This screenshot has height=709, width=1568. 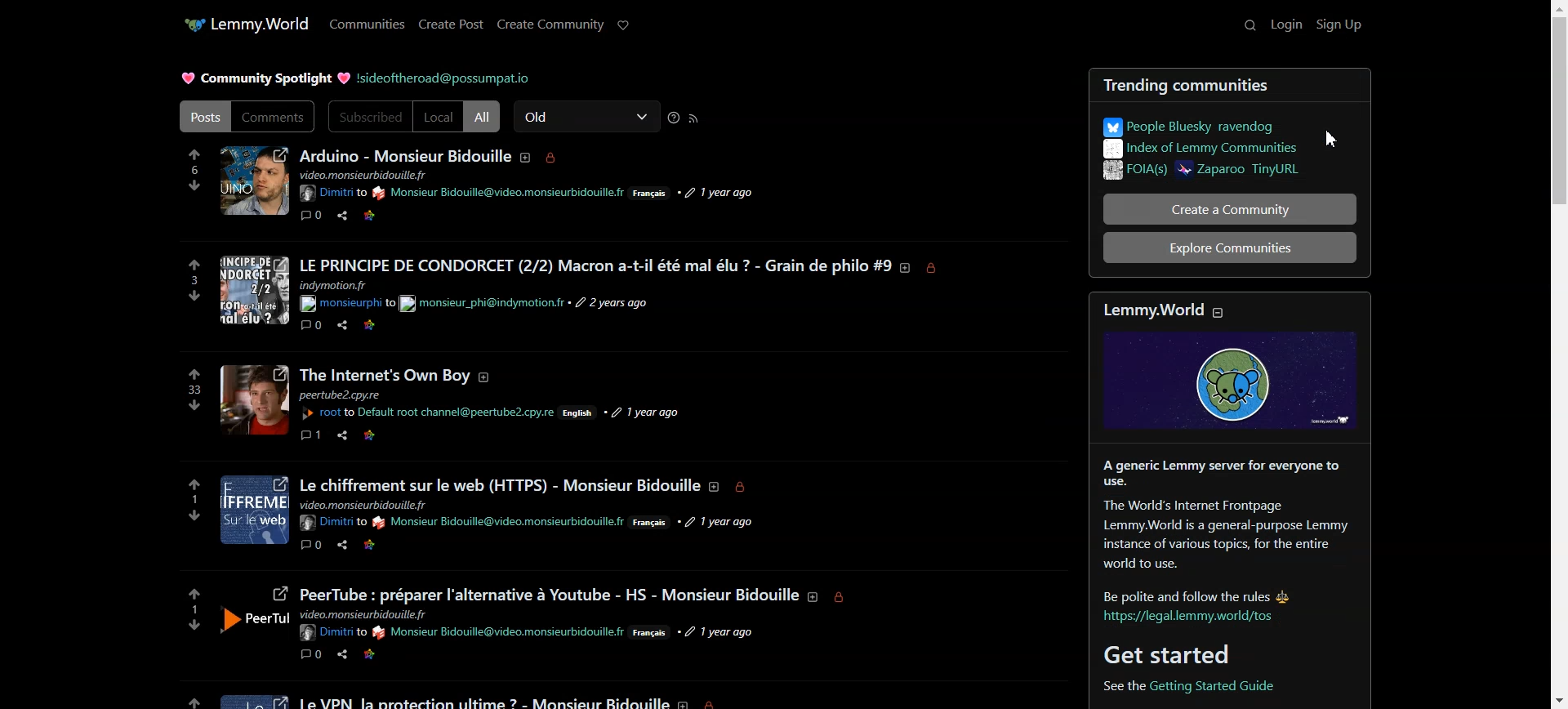 I want to click on Create Post, so click(x=451, y=23).